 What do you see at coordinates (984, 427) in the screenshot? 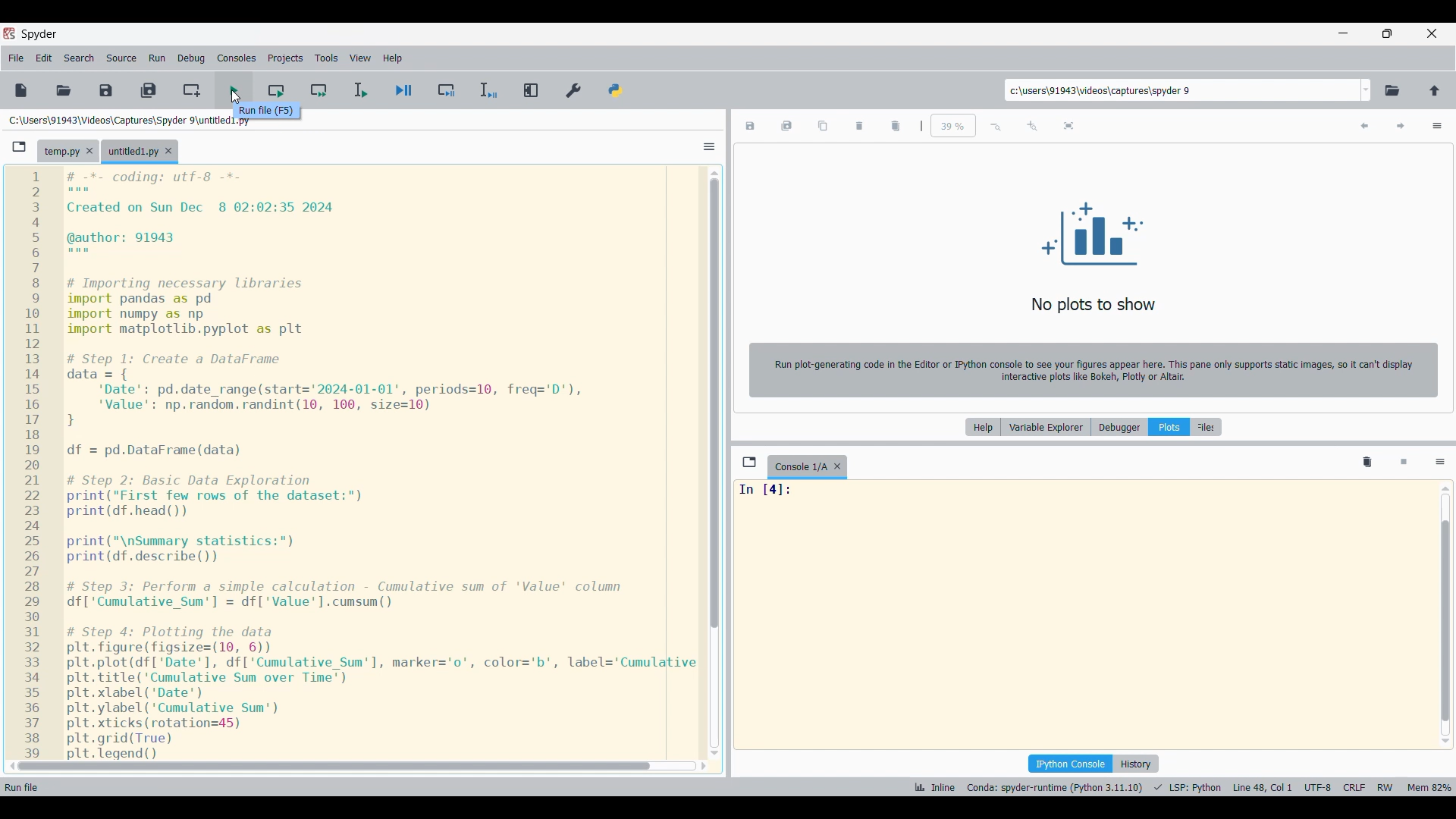
I see `Help` at bounding box center [984, 427].